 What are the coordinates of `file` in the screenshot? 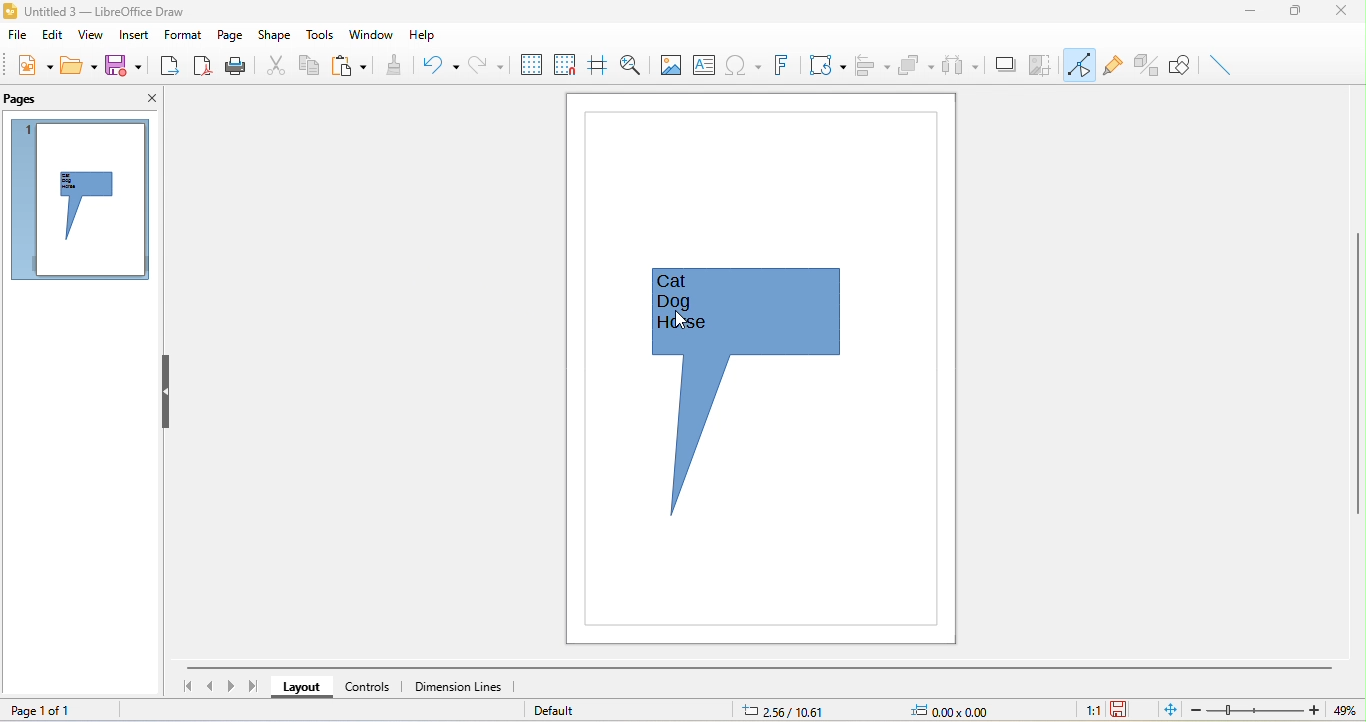 It's located at (18, 38).